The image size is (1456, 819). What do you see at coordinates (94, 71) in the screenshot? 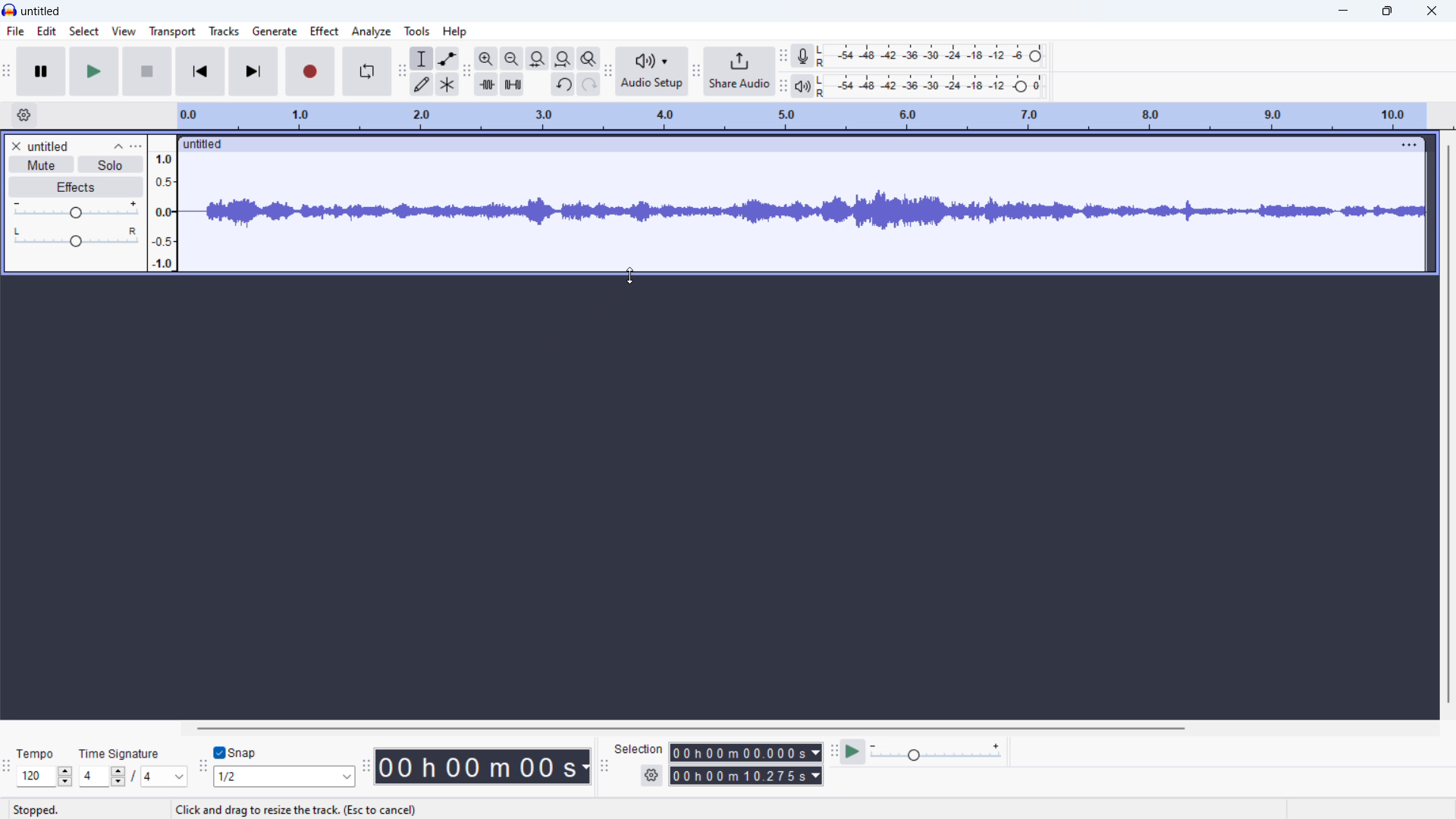
I see `play` at bounding box center [94, 71].